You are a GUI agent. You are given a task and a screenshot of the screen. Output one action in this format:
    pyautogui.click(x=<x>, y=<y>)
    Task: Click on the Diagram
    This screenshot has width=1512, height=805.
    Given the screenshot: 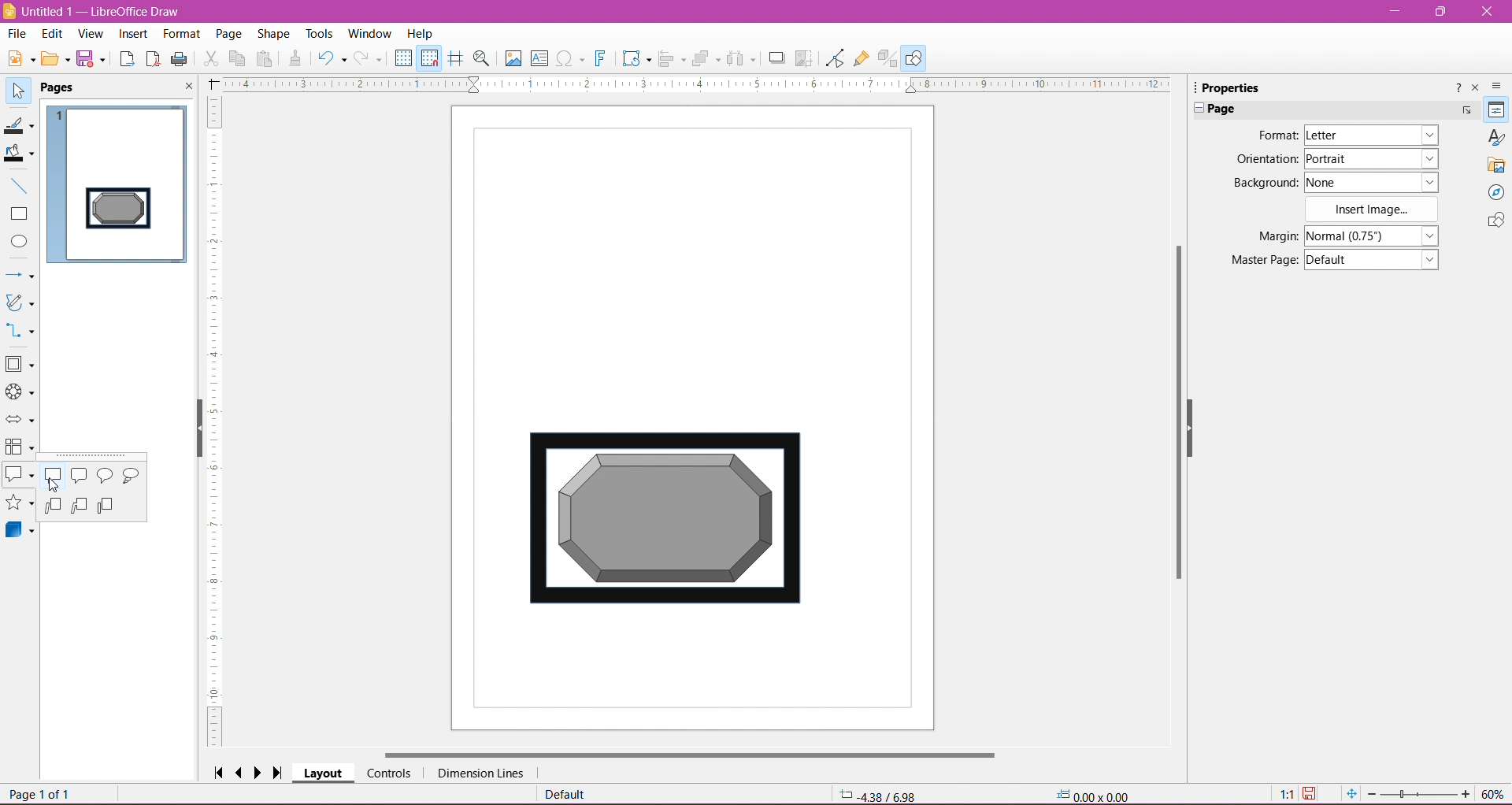 What is the action you would take?
    pyautogui.click(x=664, y=521)
    